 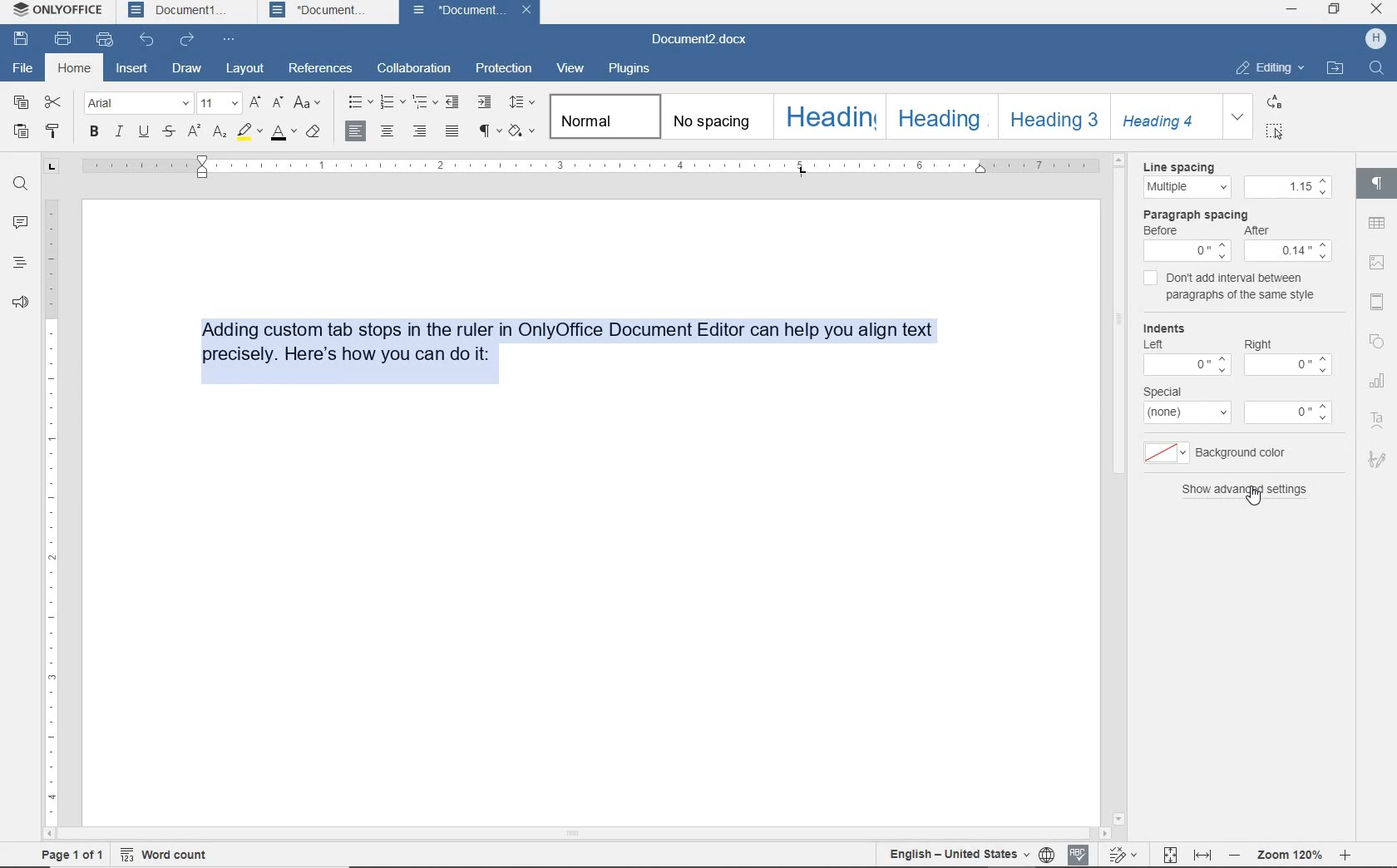 What do you see at coordinates (1267, 69) in the screenshot?
I see `editing` at bounding box center [1267, 69].